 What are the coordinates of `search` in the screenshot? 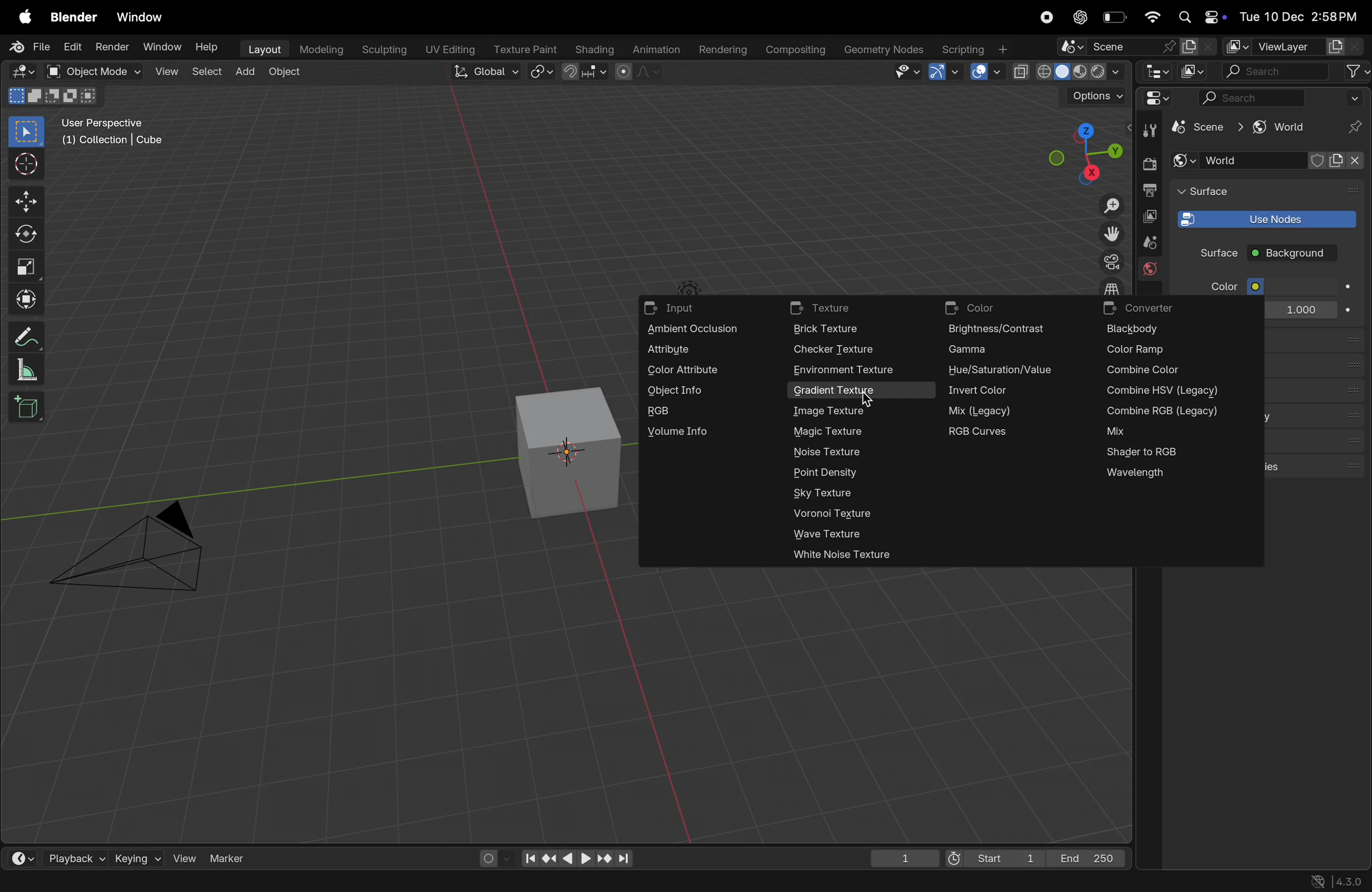 It's located at (1253, 98).